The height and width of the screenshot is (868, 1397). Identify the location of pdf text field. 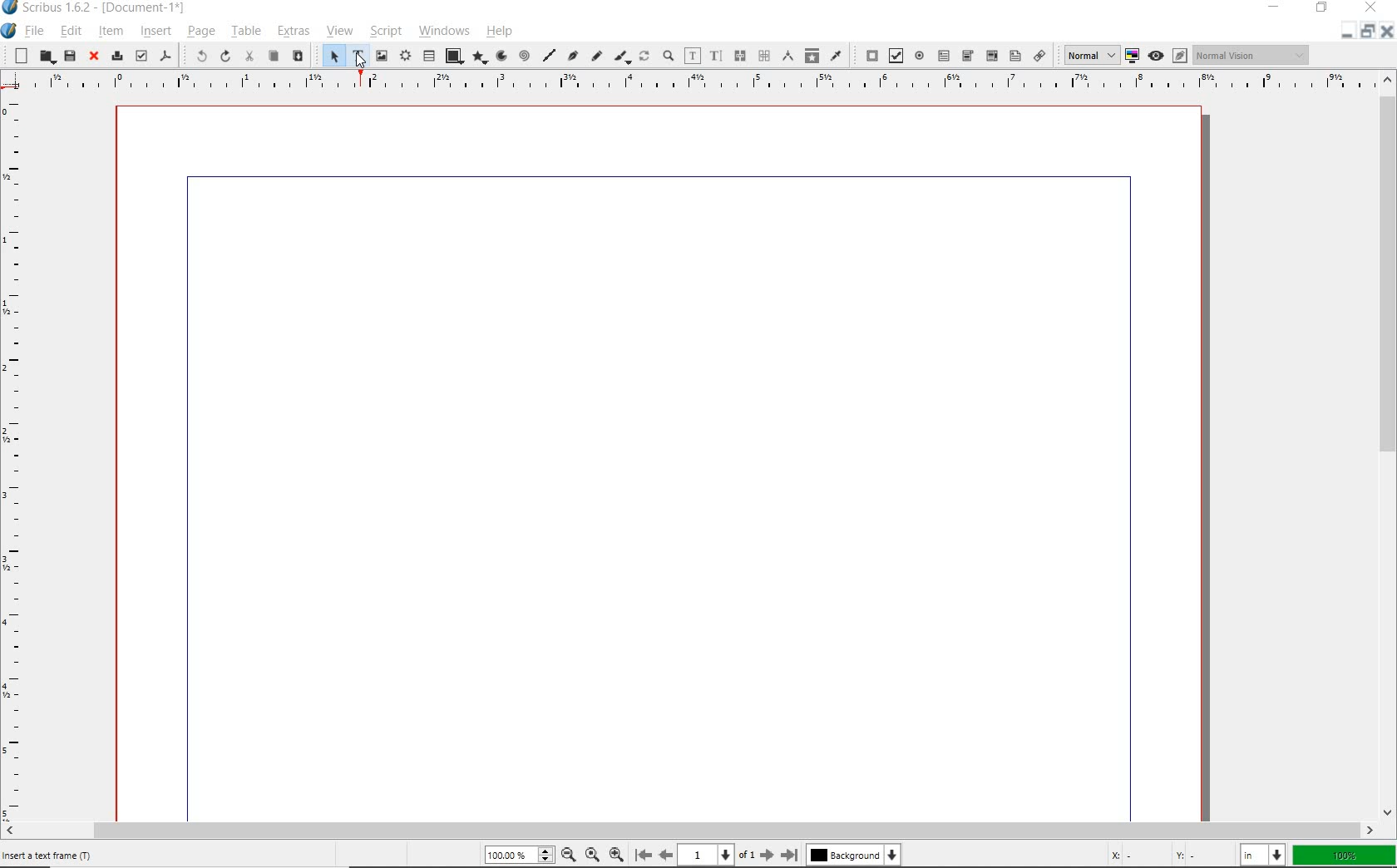
(945, 56).